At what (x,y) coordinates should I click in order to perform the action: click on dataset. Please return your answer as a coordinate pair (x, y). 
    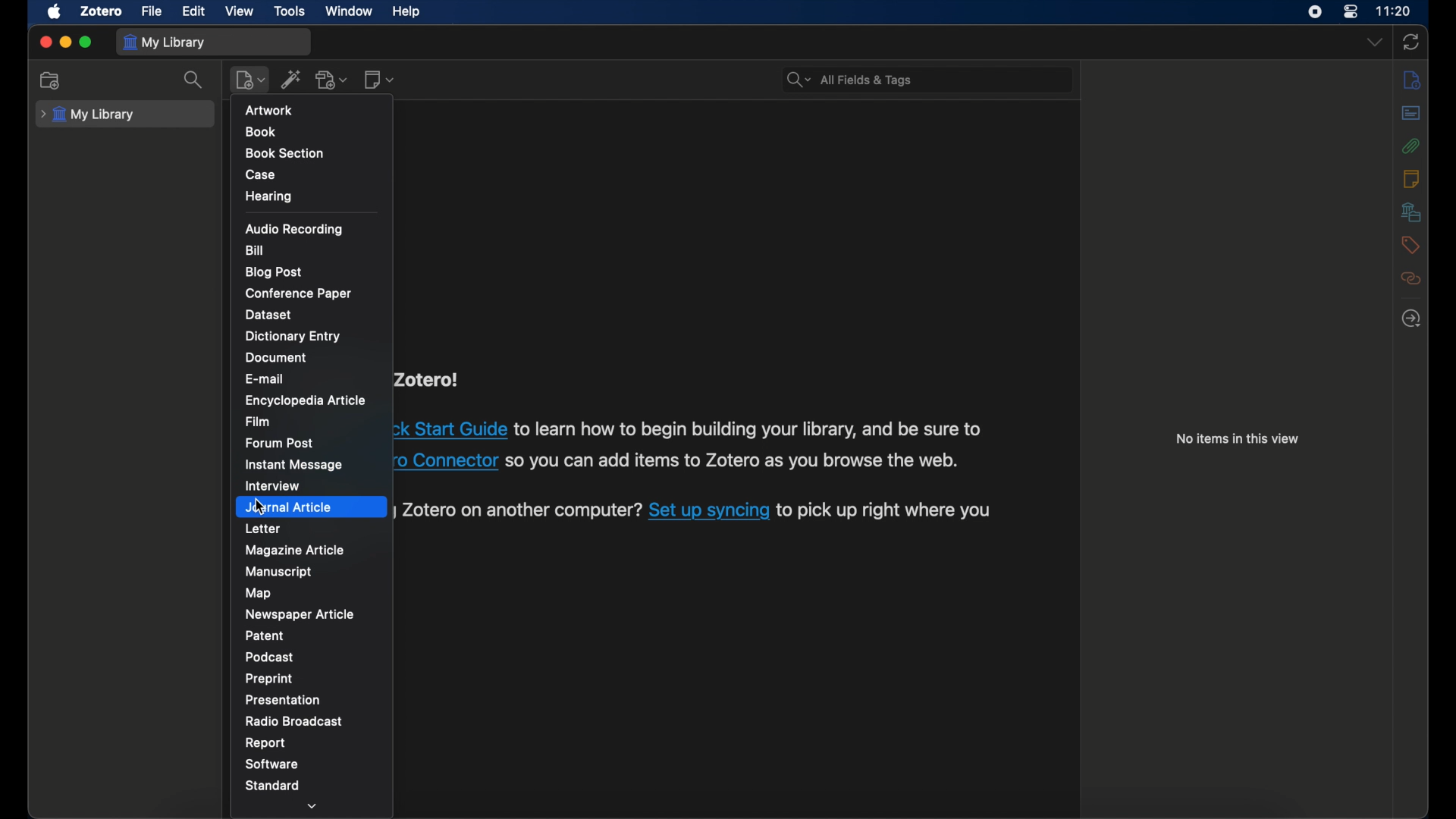
    Looking at the image, I should click on (269, 314).